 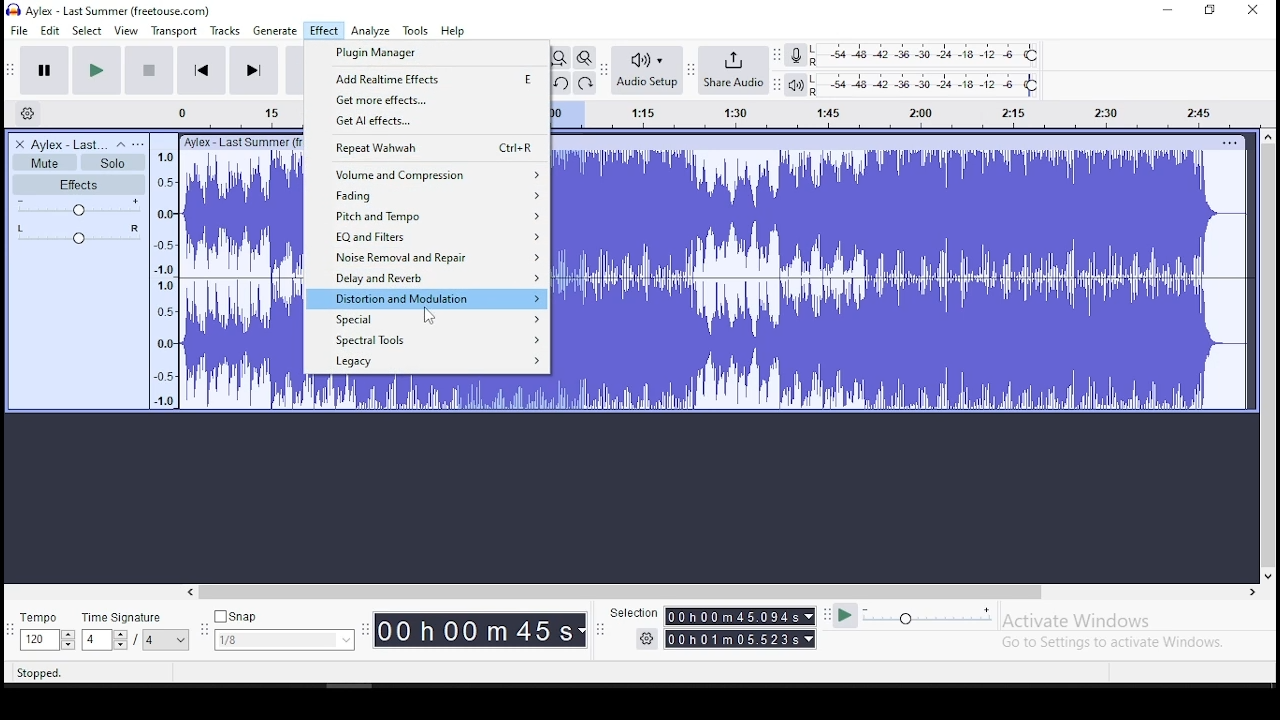 I want to click on add real time effects, so click(x=428, y=77).